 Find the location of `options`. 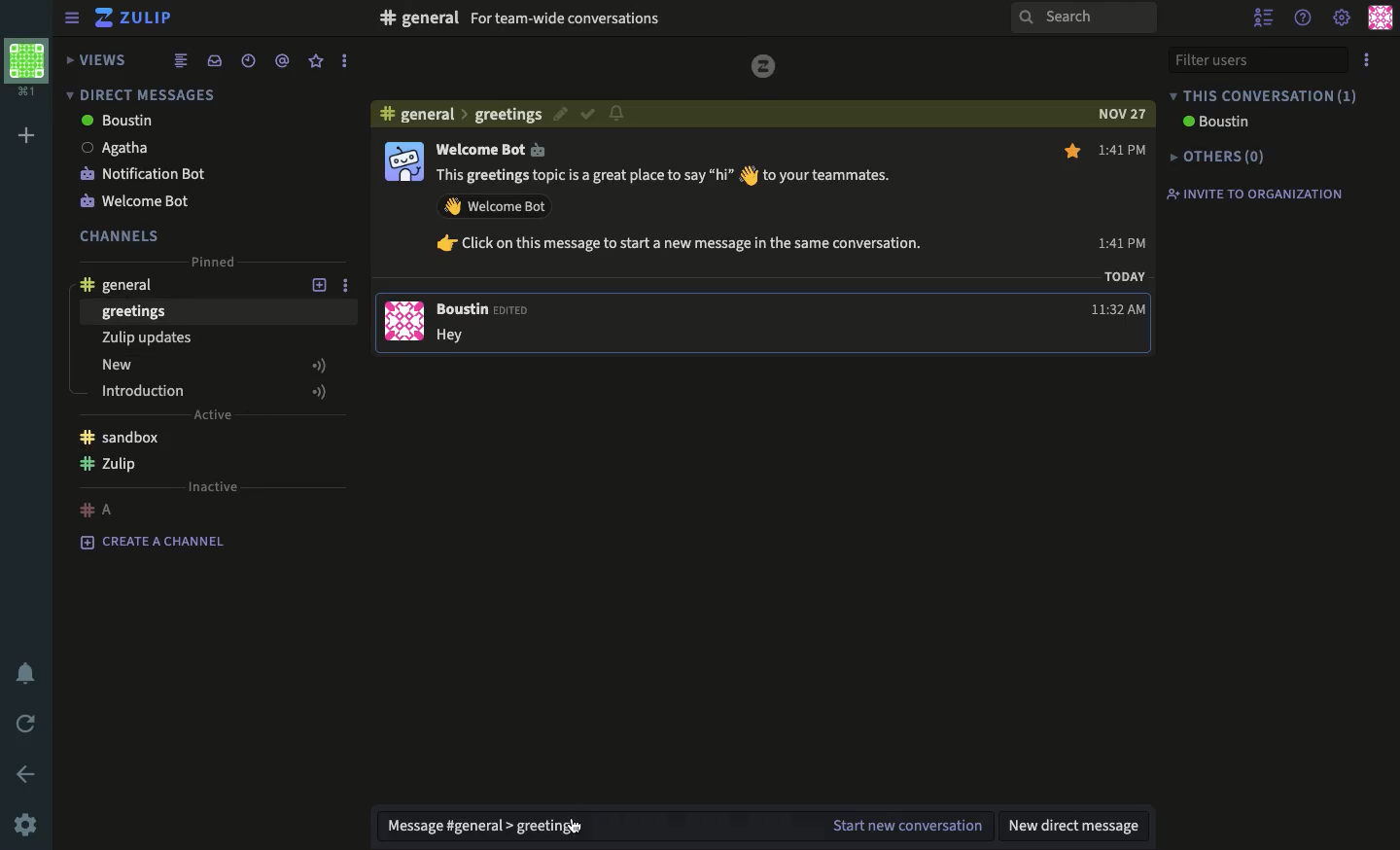

options is located at coordinates (1369, 59).